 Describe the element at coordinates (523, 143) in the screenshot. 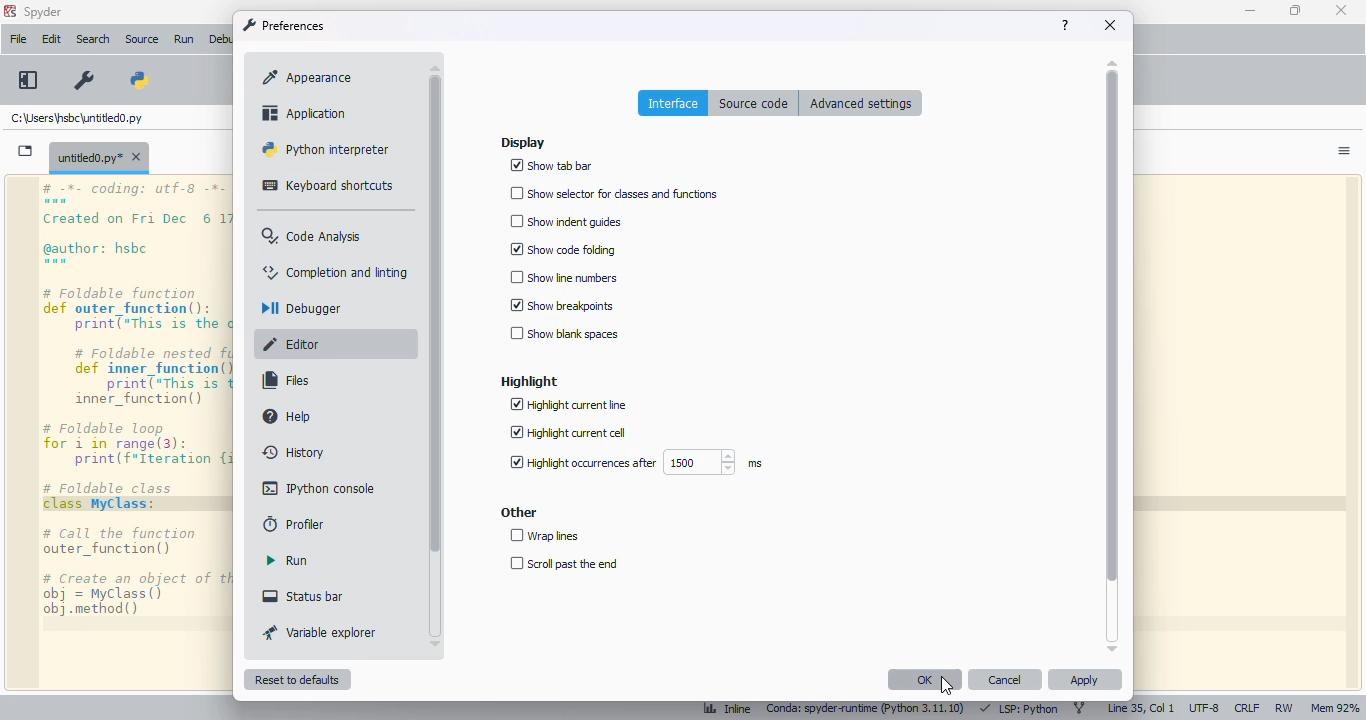

I see `display` at that location.